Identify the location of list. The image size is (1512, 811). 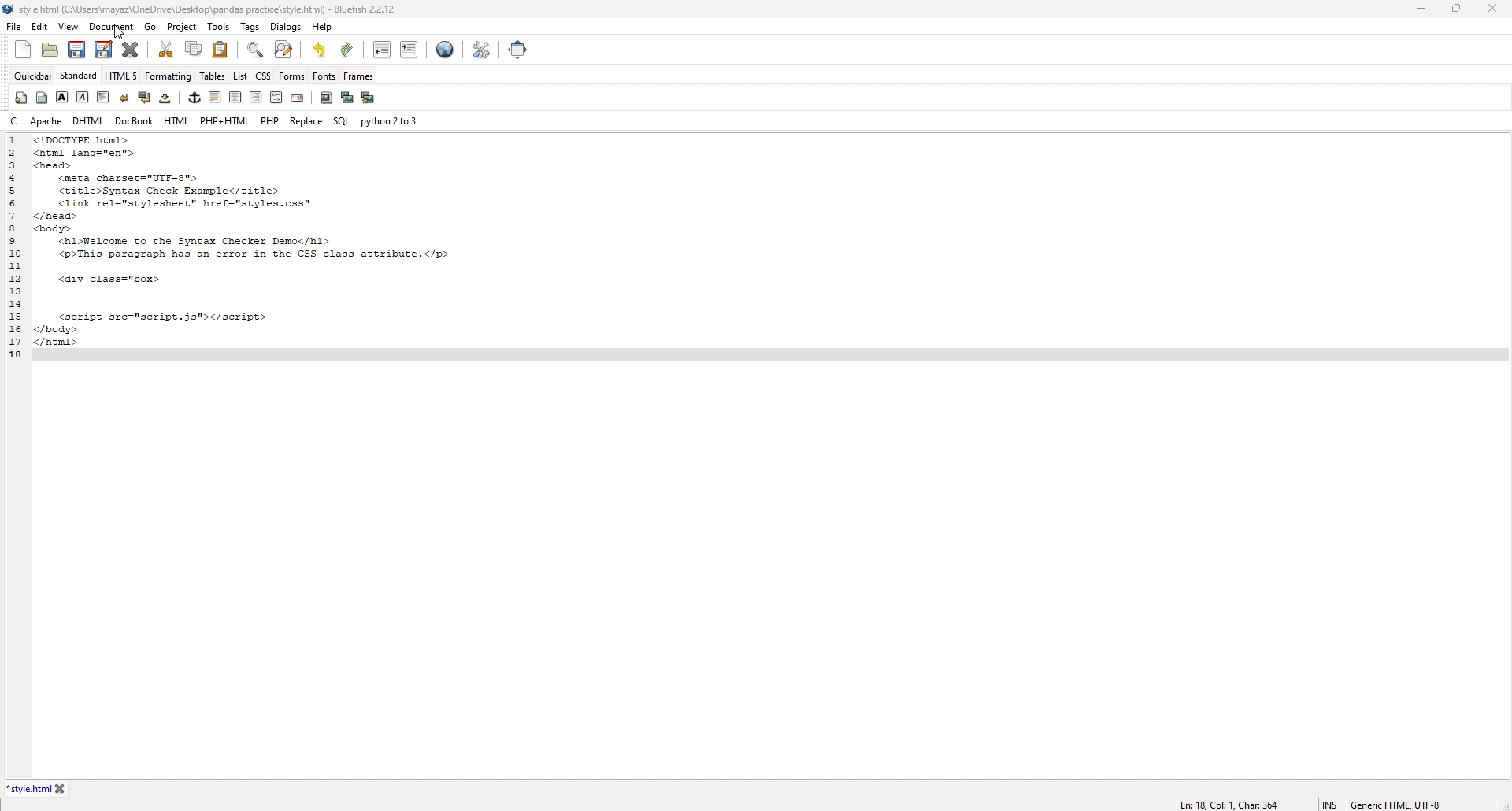
(241, 76).